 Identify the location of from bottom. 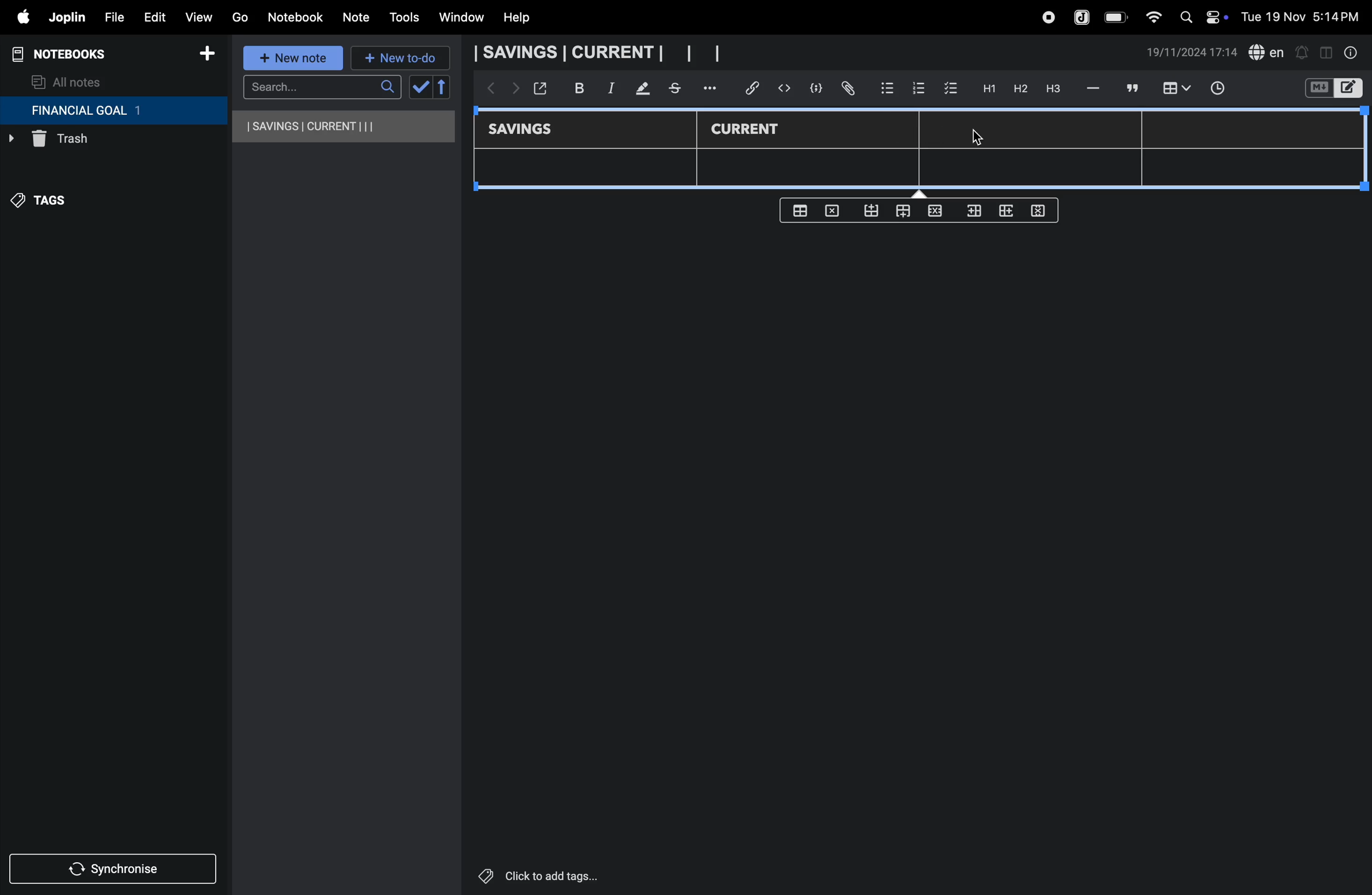
(872, 211).